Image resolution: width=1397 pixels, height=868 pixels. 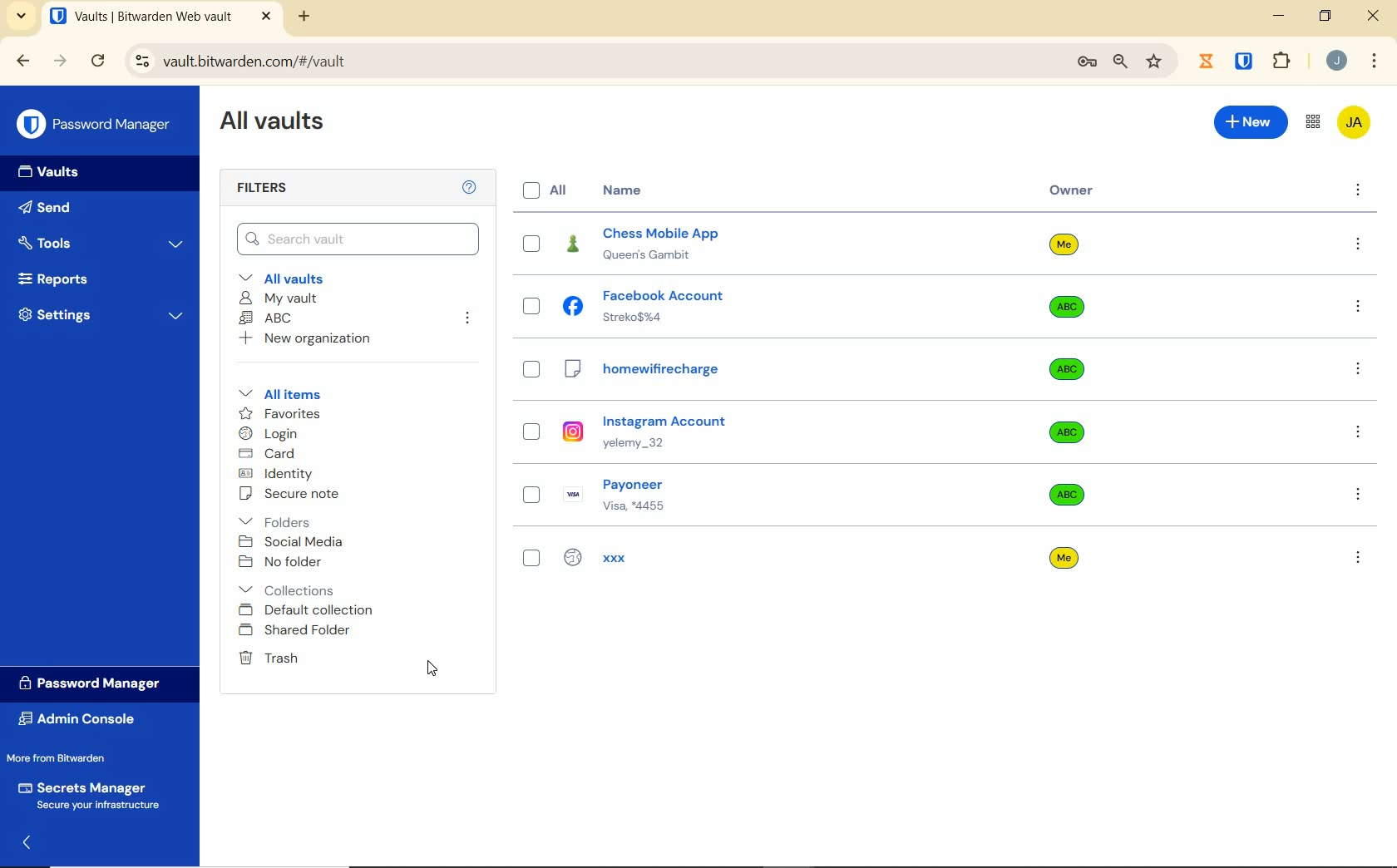 What do you see at coordinates (160, 17) in the screenshot?
I see `open tab` at bounding box center [160, 17].